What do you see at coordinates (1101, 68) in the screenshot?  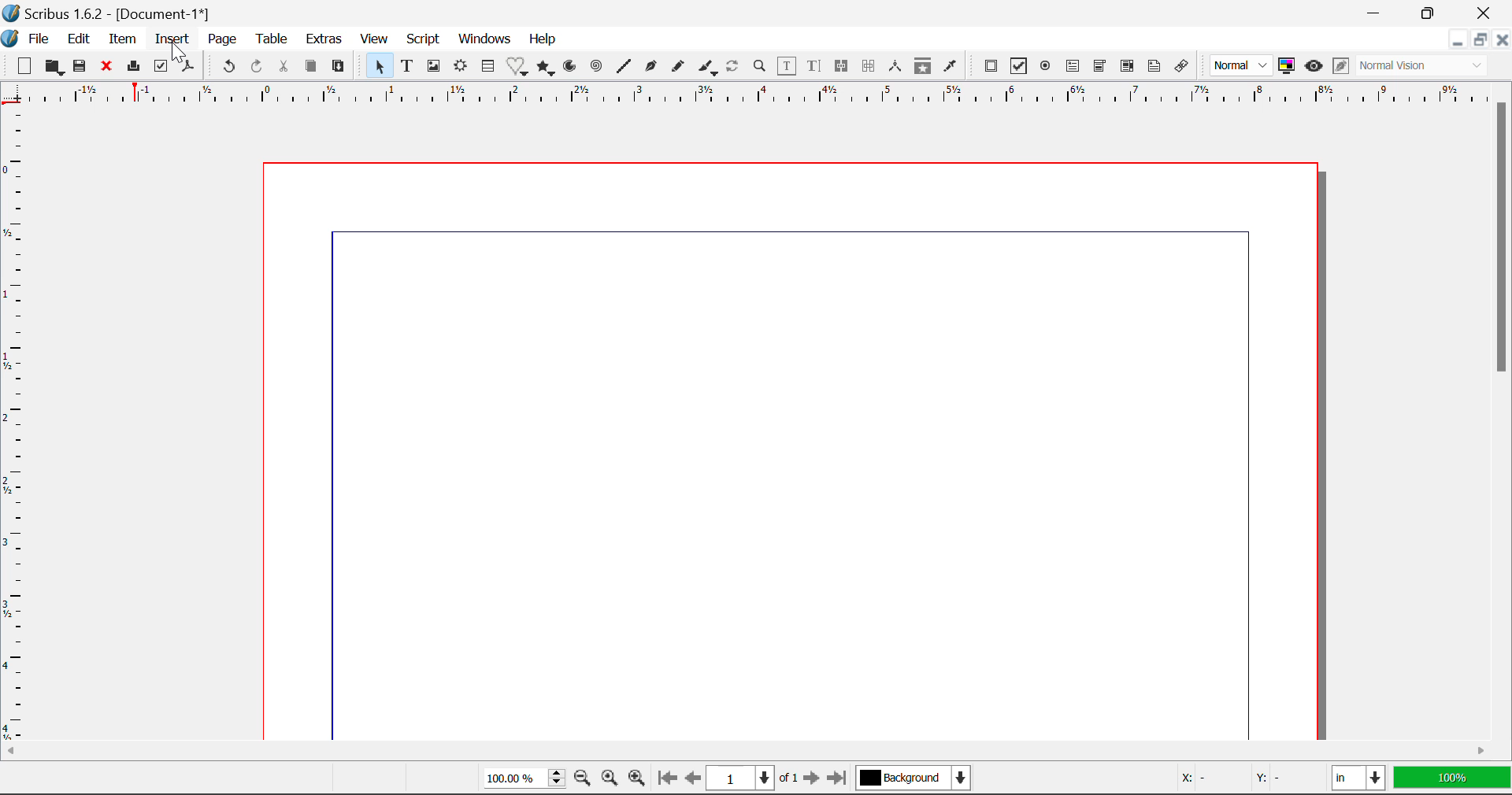 I see `Pdf Combo box` at bounding box center [1101, 68].